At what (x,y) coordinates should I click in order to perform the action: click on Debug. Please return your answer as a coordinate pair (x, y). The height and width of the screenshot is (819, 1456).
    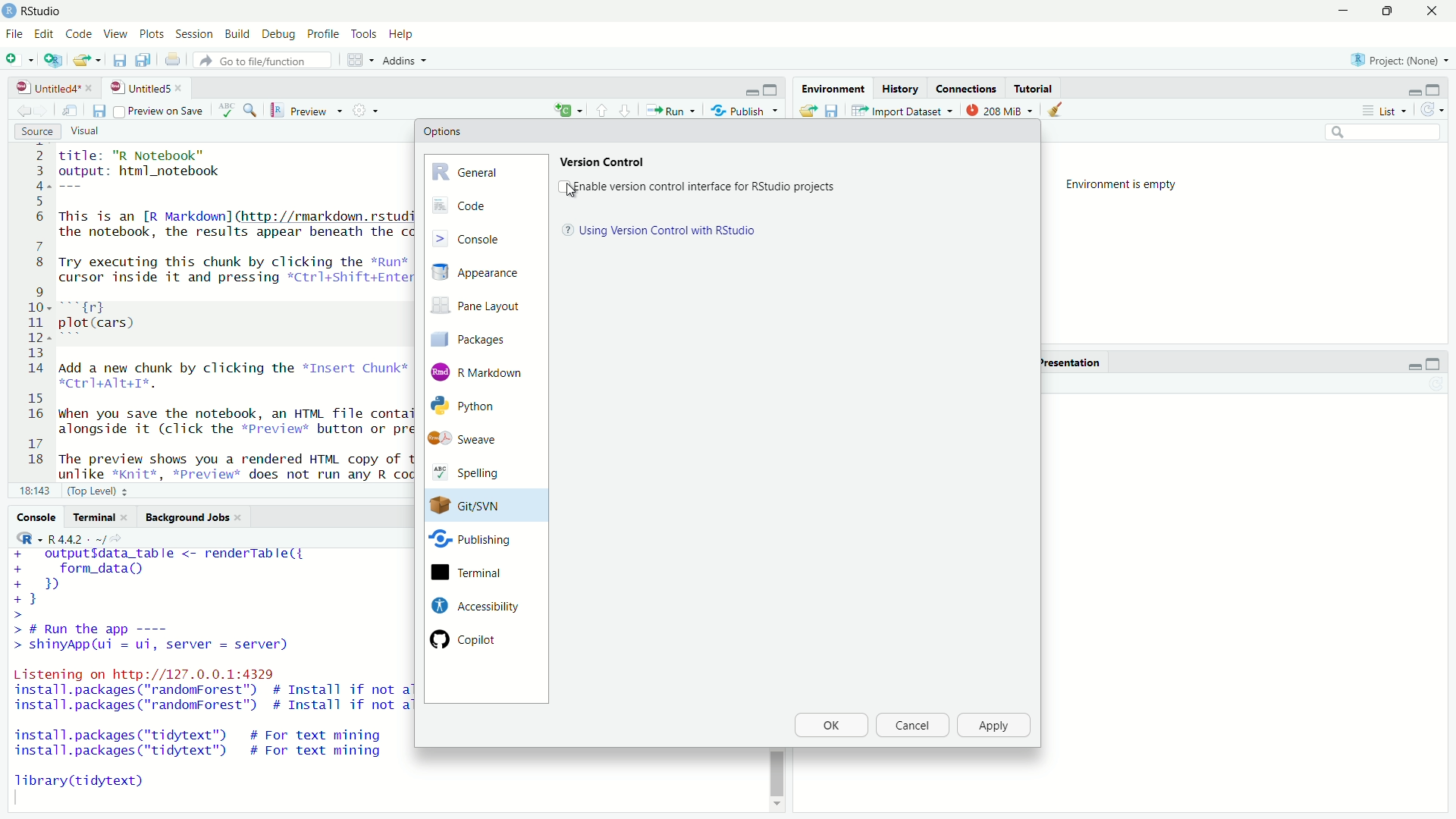
    Looking at the image, I should click on (280, 36).